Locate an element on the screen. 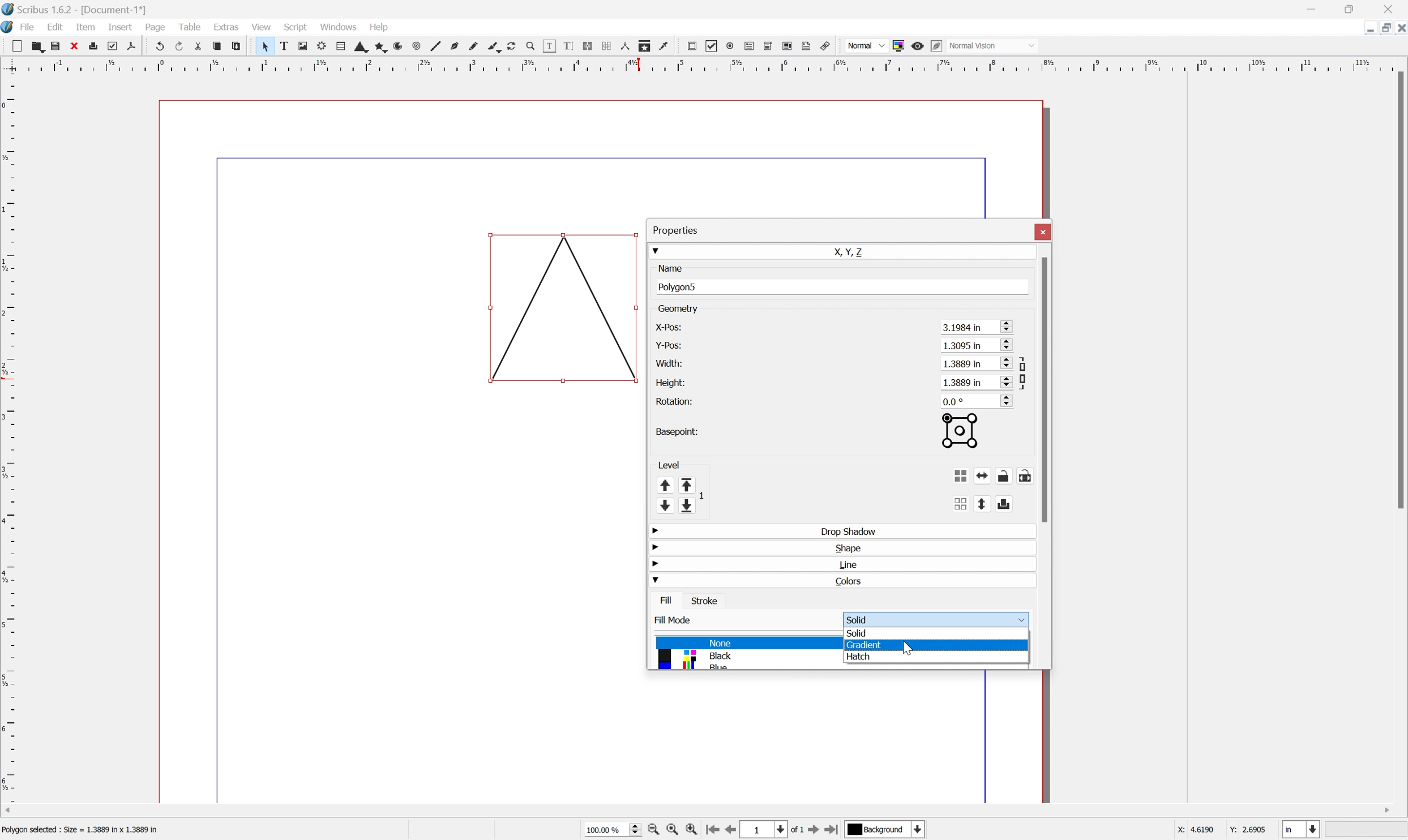 The height and width of the screenshot is (840, 1408). Cursor is located at coordinates (909, 646).